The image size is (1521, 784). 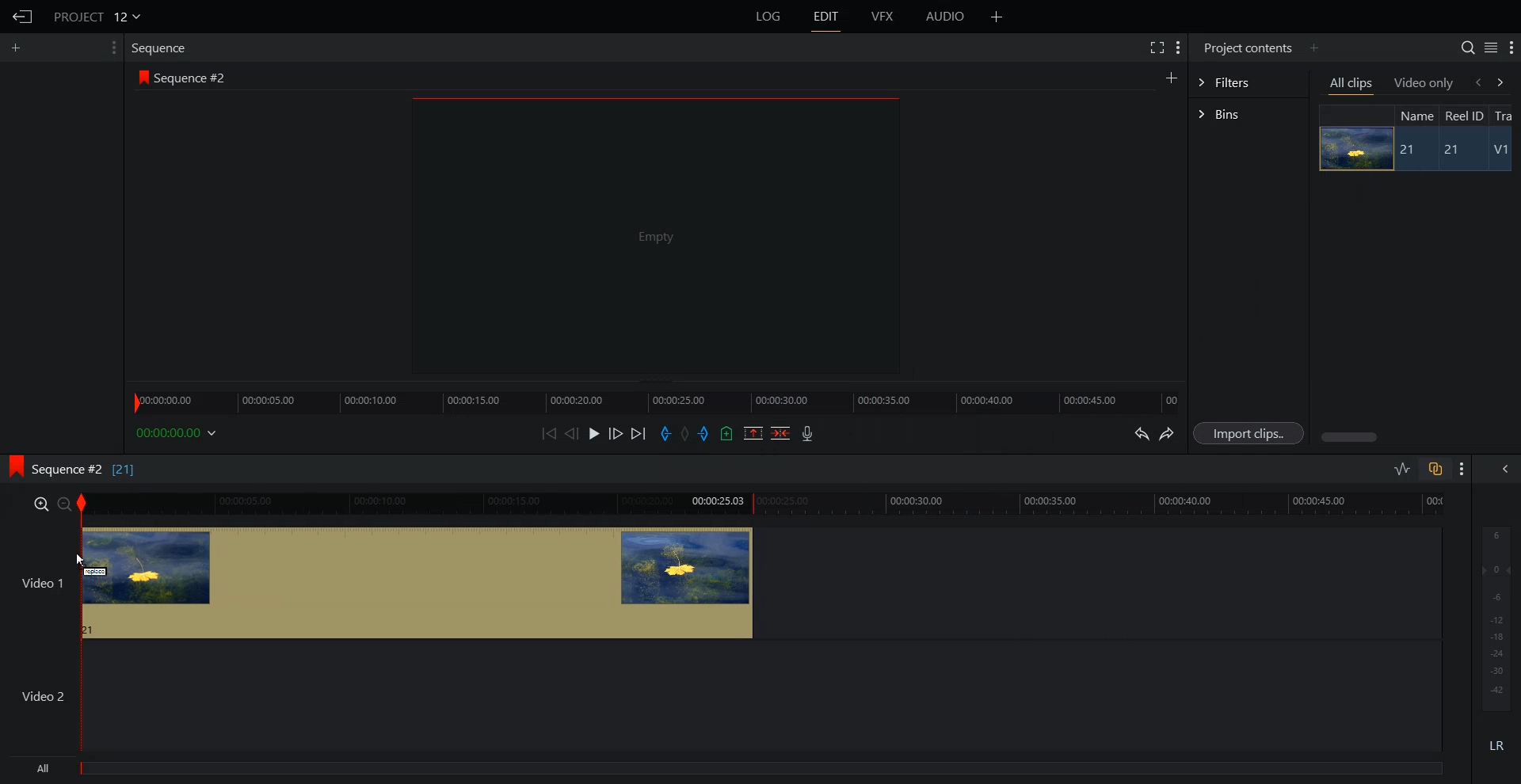 What do you see at coordinates (827, 17) in the screenshot?
I see `EDIT` at bounding box center [827, 17].